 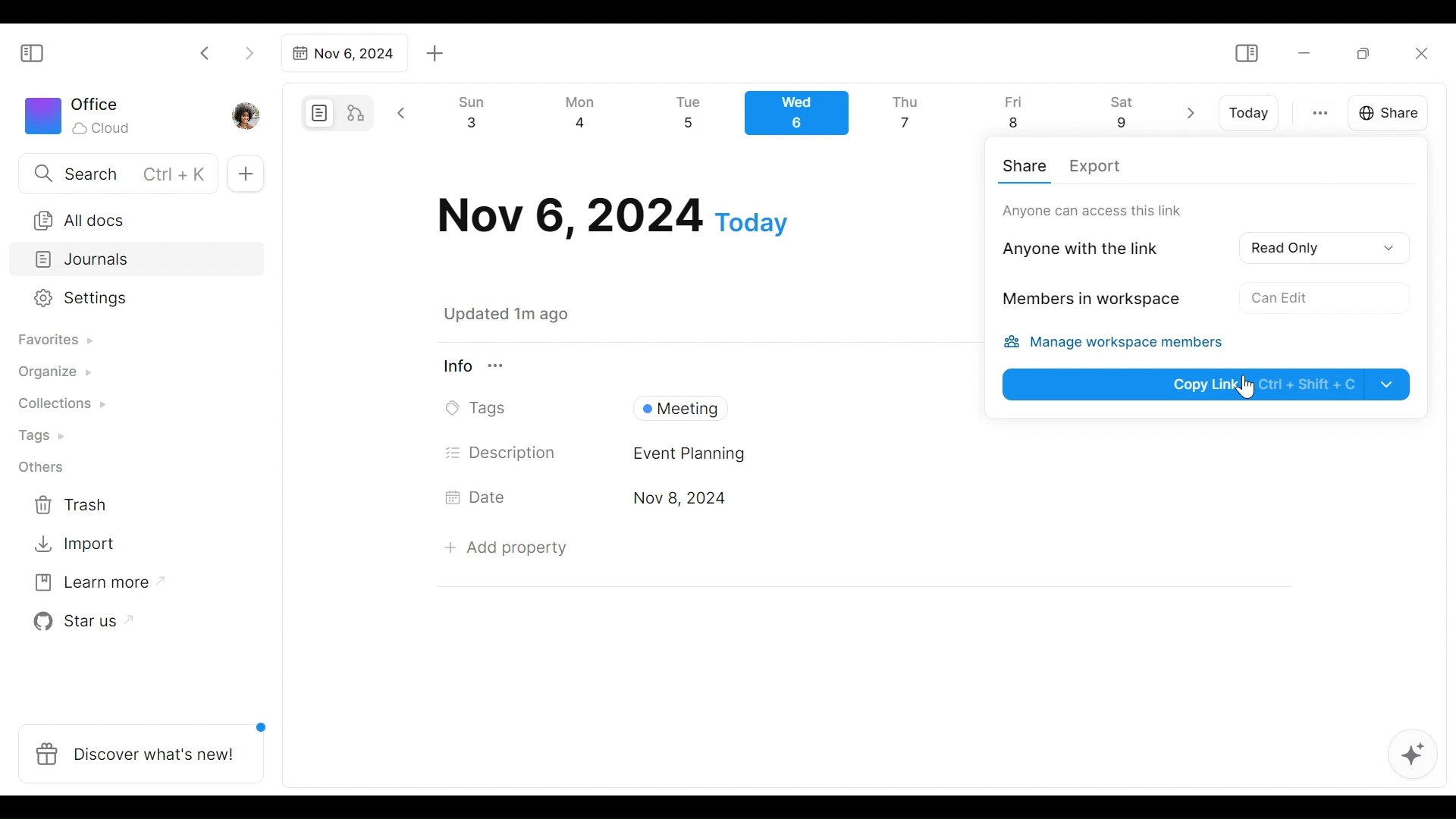 What do you see at coordinates (54, 340) in the screenshot?
I see `Favorites` at bounding box center [54, 340].